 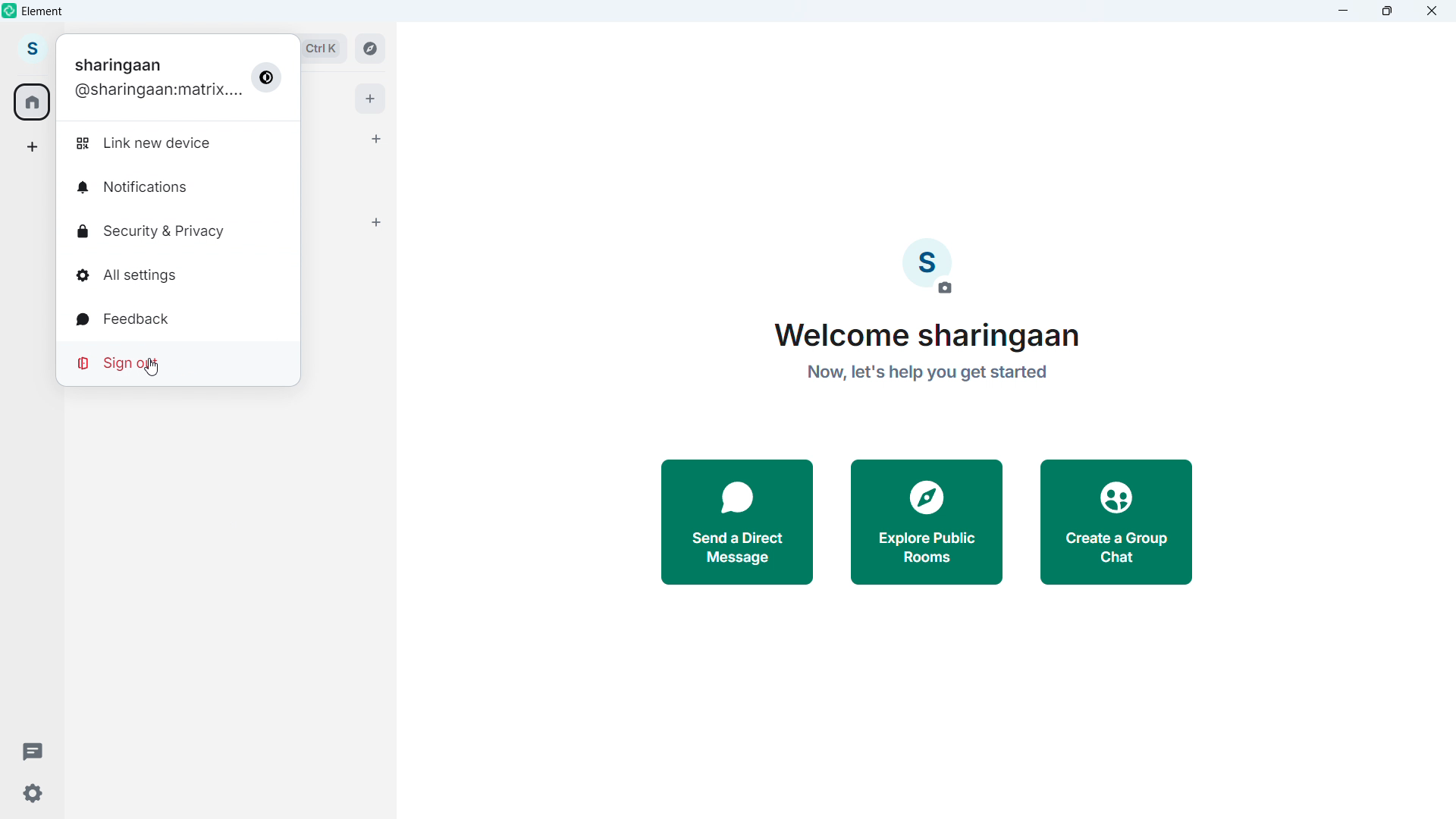 I want to click on Toggle theme , so click(x=267, y=77).